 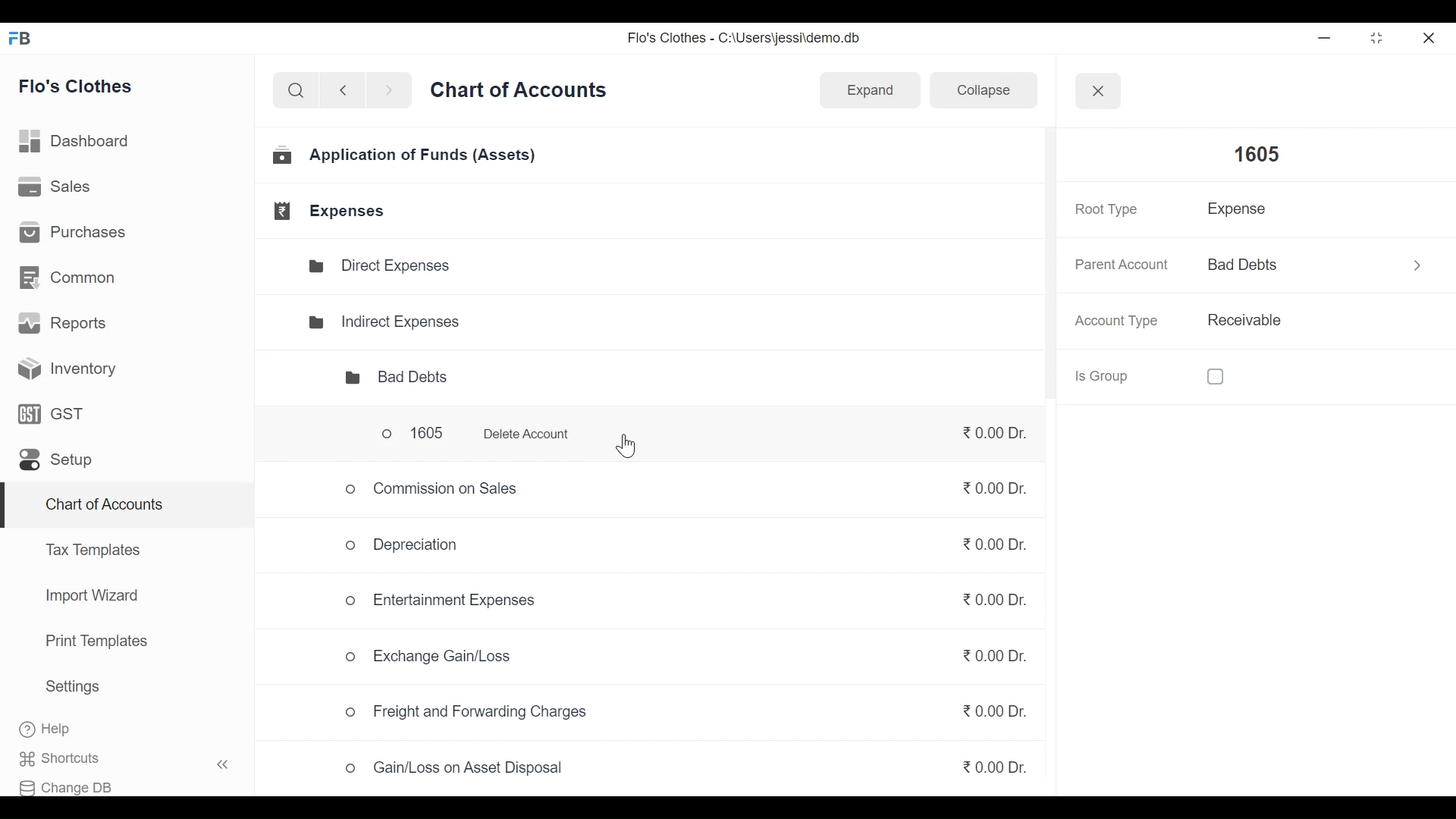 What do you see at coordinates (1270, 265) in the screenshot?
I see `Bad Debts` at bounding box center [1270, 265].